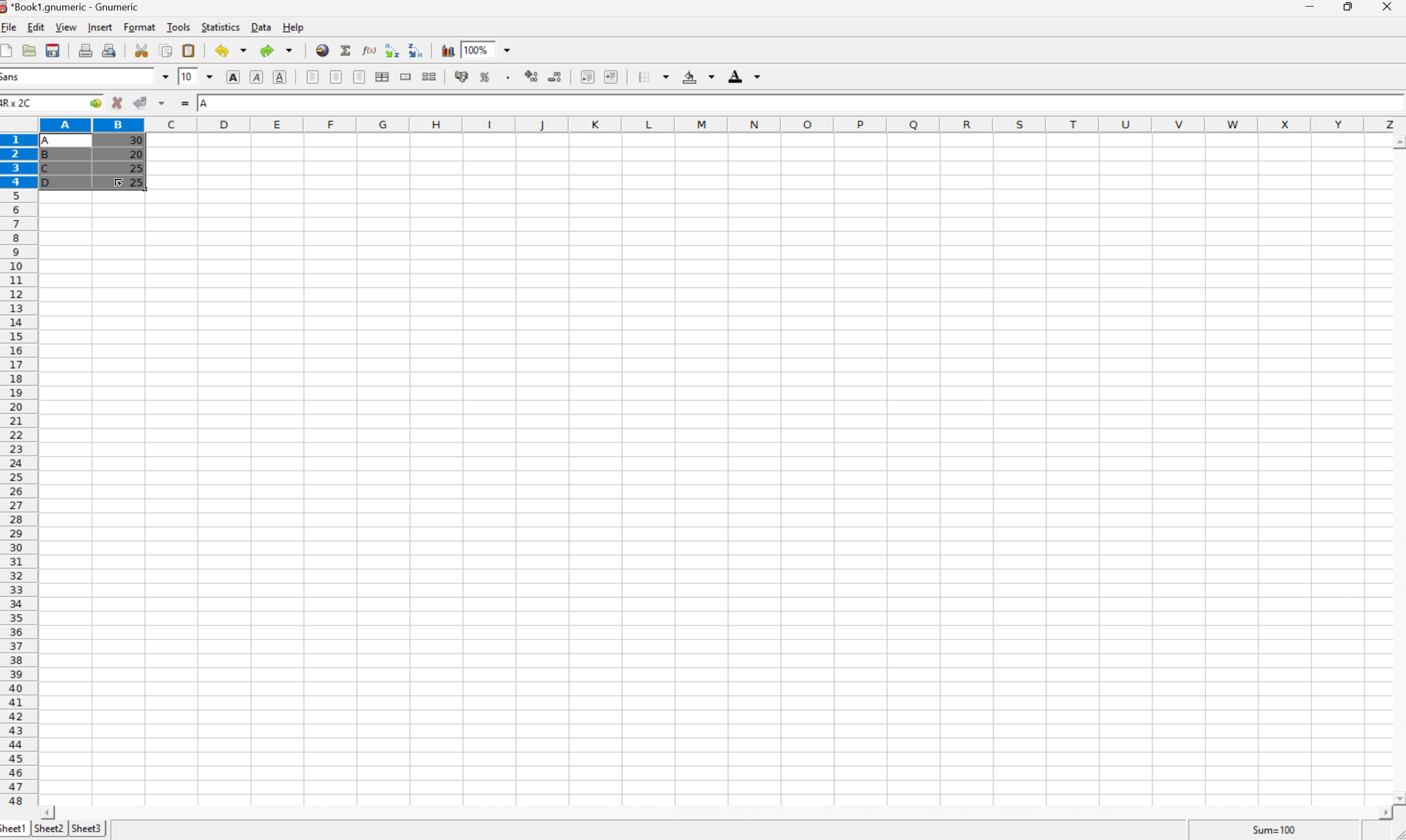 The height and width of the screenshot is (840, 1406). I want to click on Scroll Up, so click(1397, 140).